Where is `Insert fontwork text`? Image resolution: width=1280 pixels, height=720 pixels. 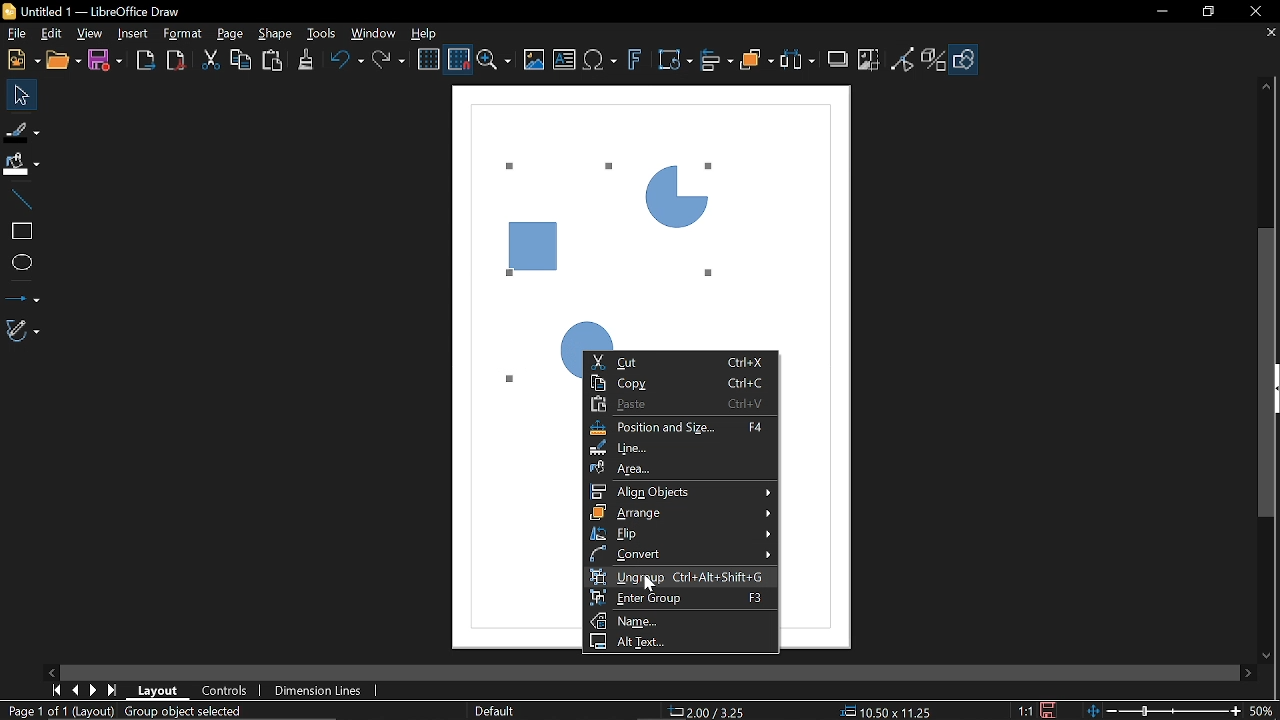 Insert fontwork text is located at coordinates (637, 60).